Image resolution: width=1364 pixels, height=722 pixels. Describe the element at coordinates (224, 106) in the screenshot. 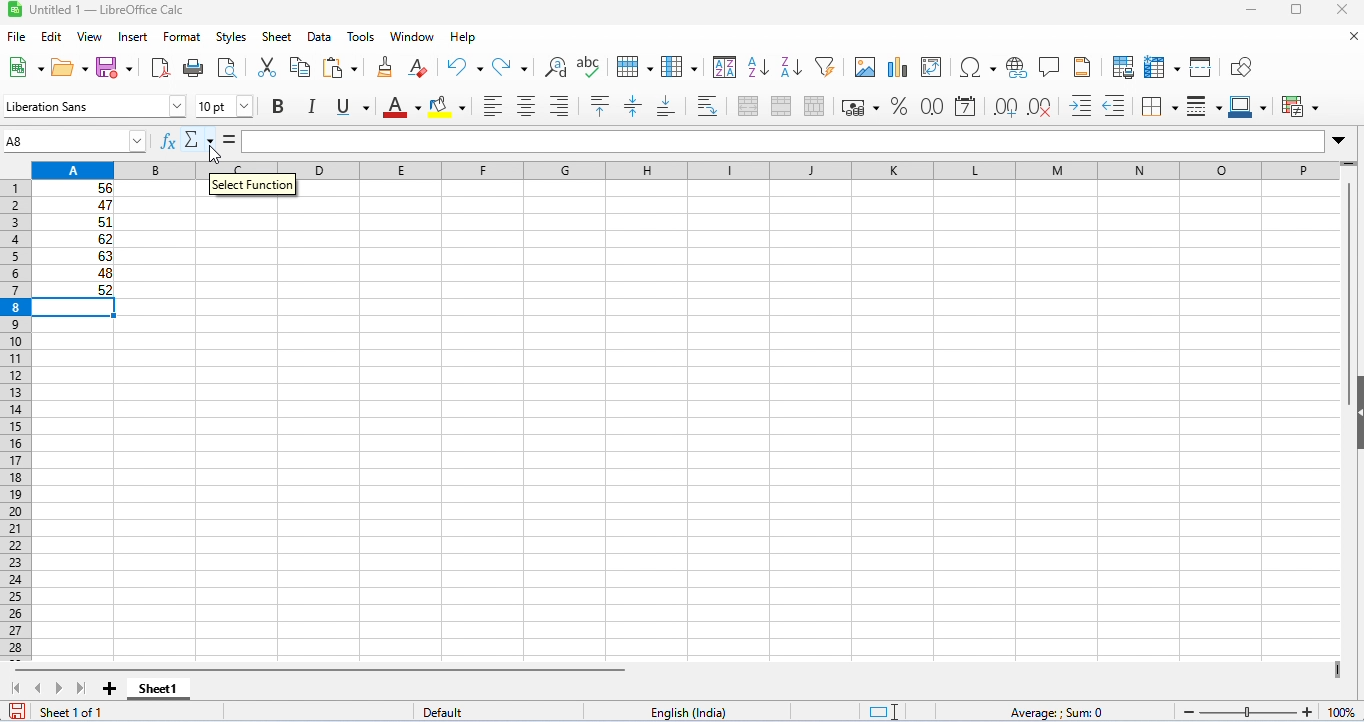

I see `font size` at that location.